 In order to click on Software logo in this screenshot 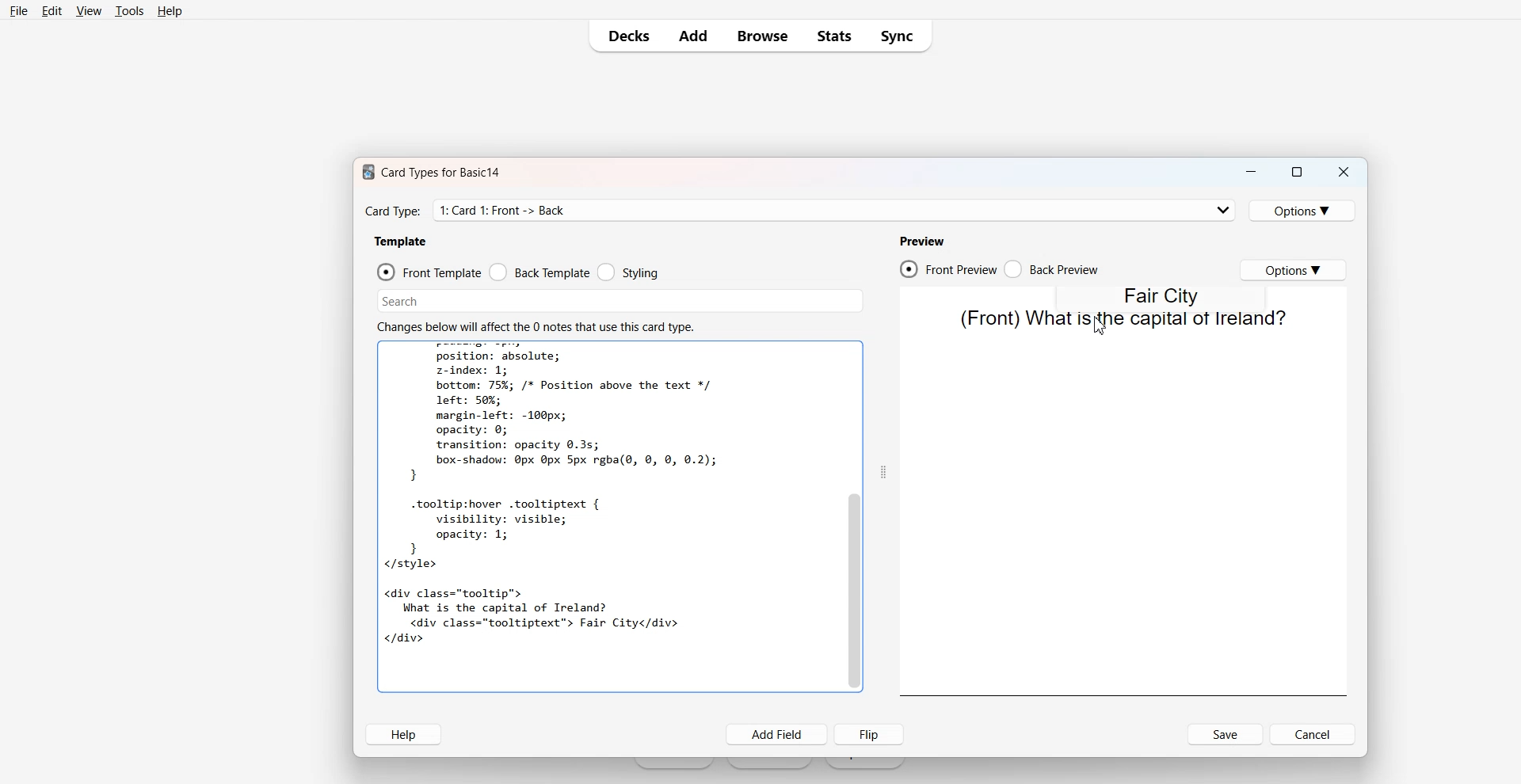, I will do `click(367, 173)`.